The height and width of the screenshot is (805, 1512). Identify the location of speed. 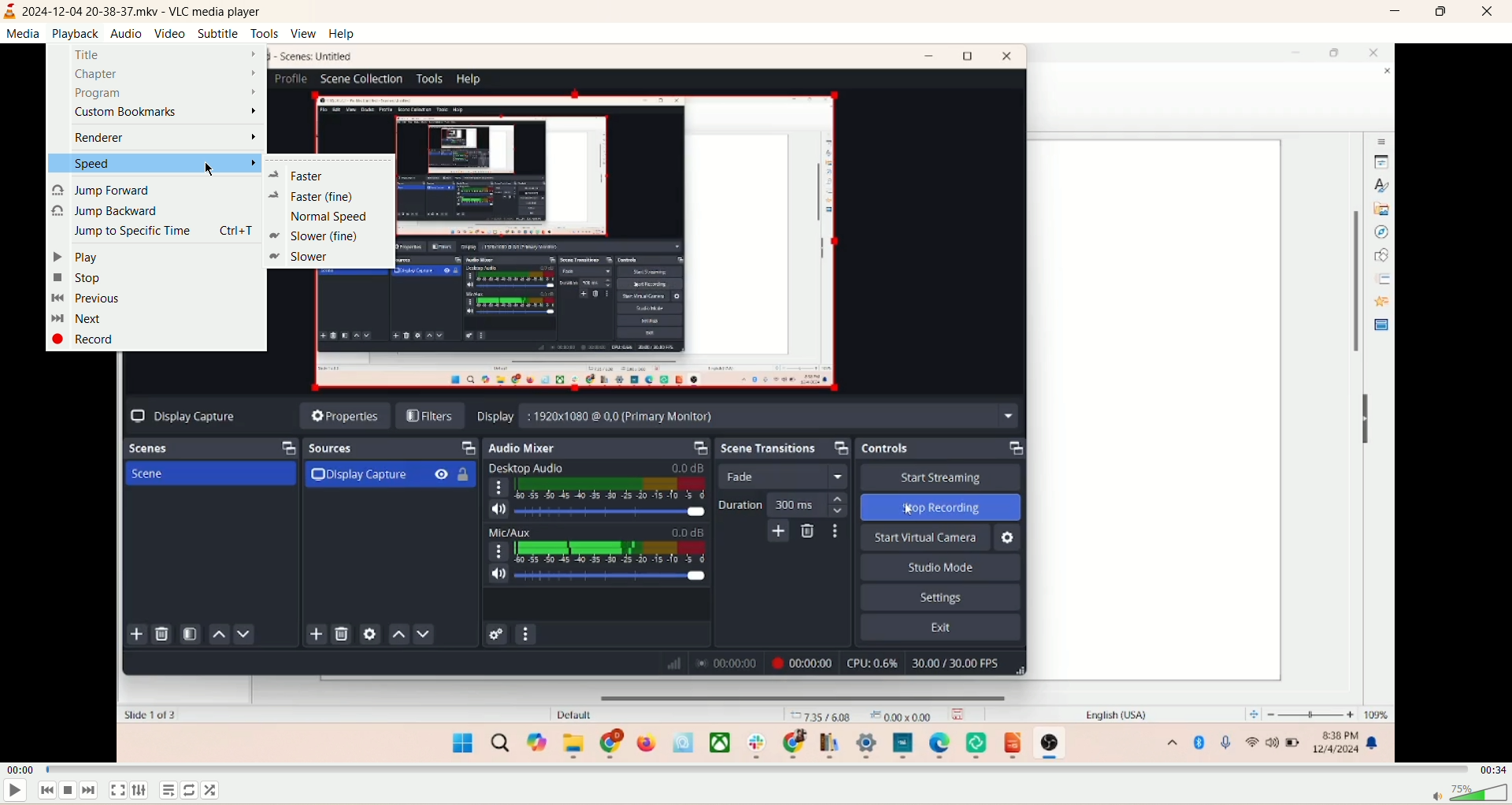
(154, 165).